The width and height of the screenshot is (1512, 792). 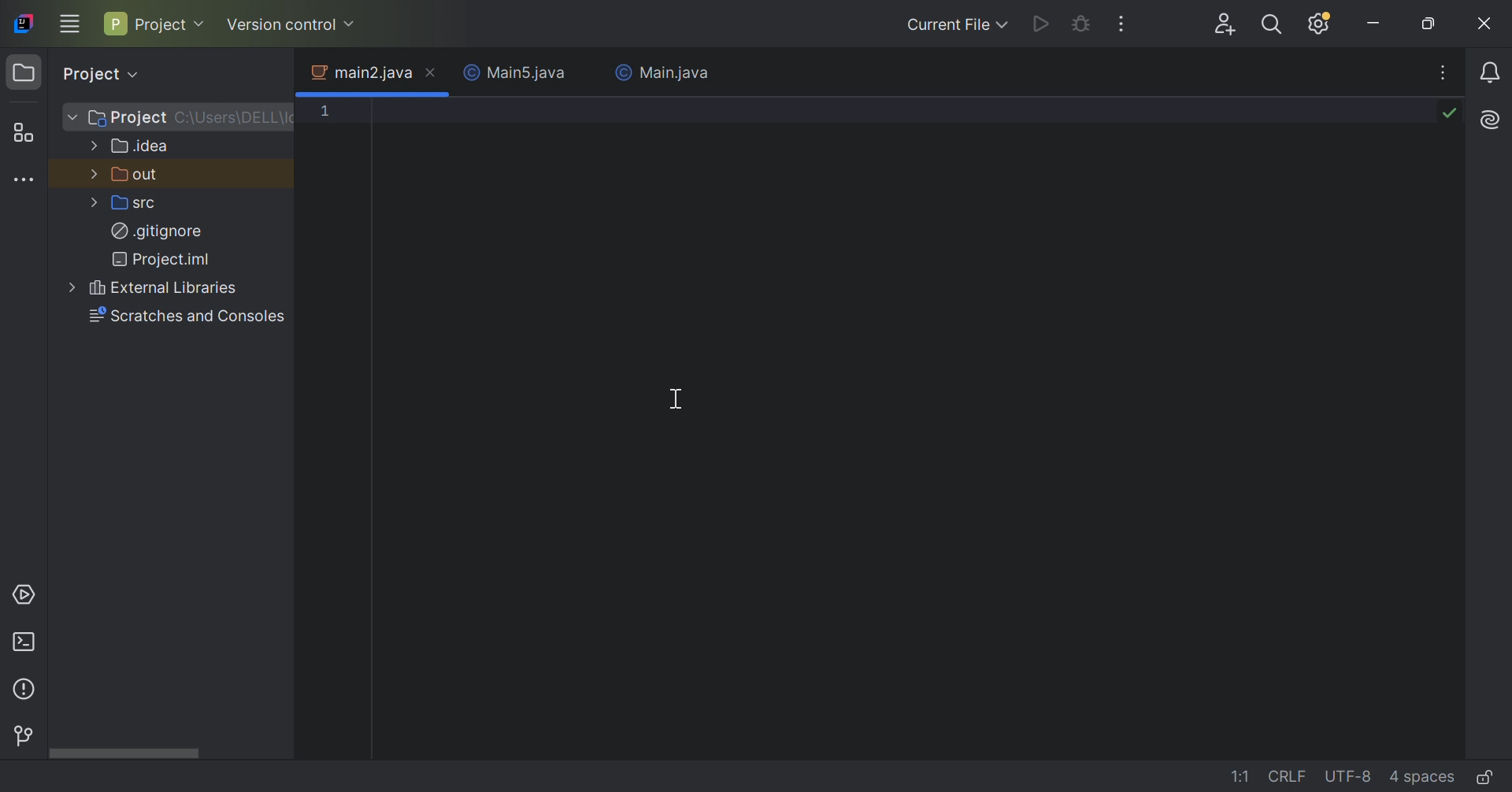 I want to click on AI Assistant, so click(x=1493, y=117).